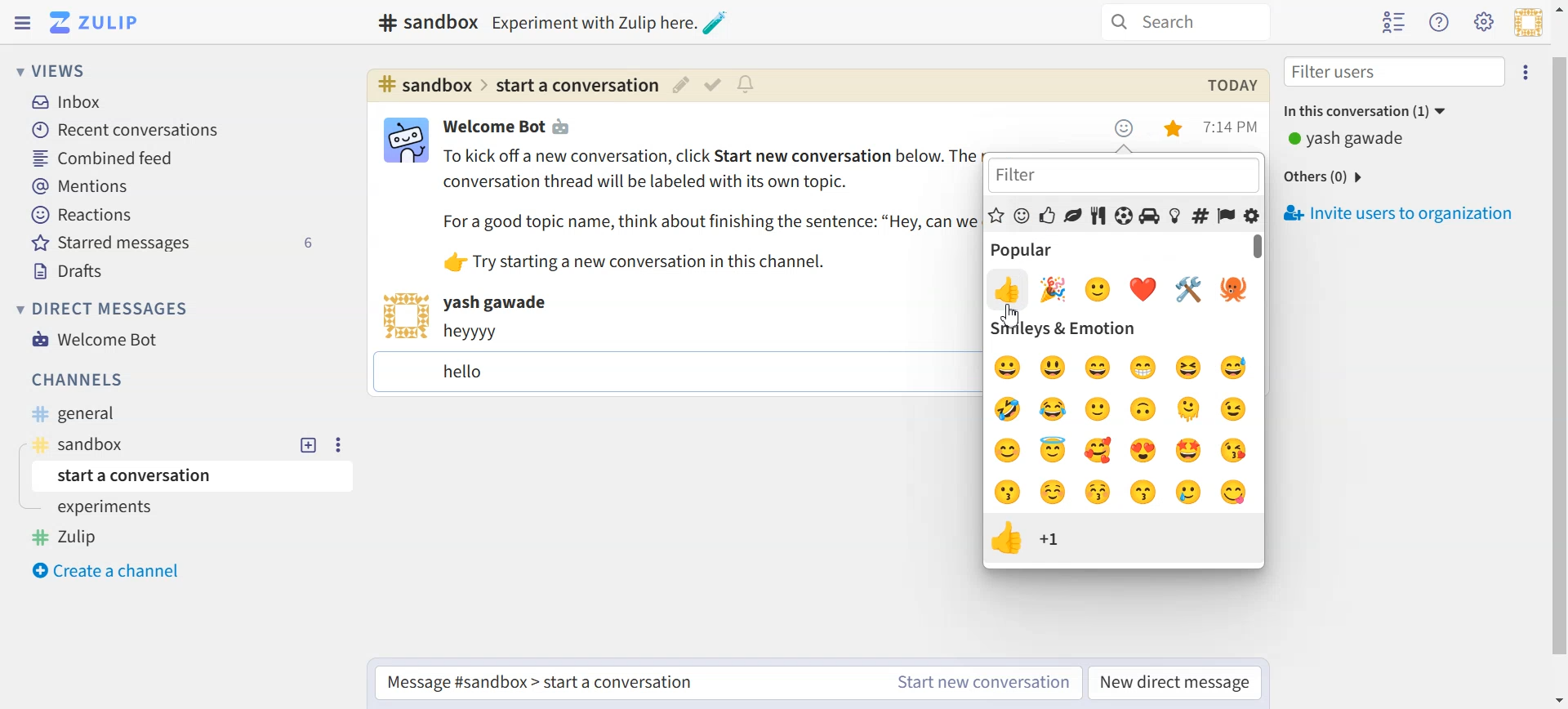 The height and width of the screenshot is (709, 1568). Describe the element at coordinates (1484, 22) in the screenshot. I see `Main menu` at that location.